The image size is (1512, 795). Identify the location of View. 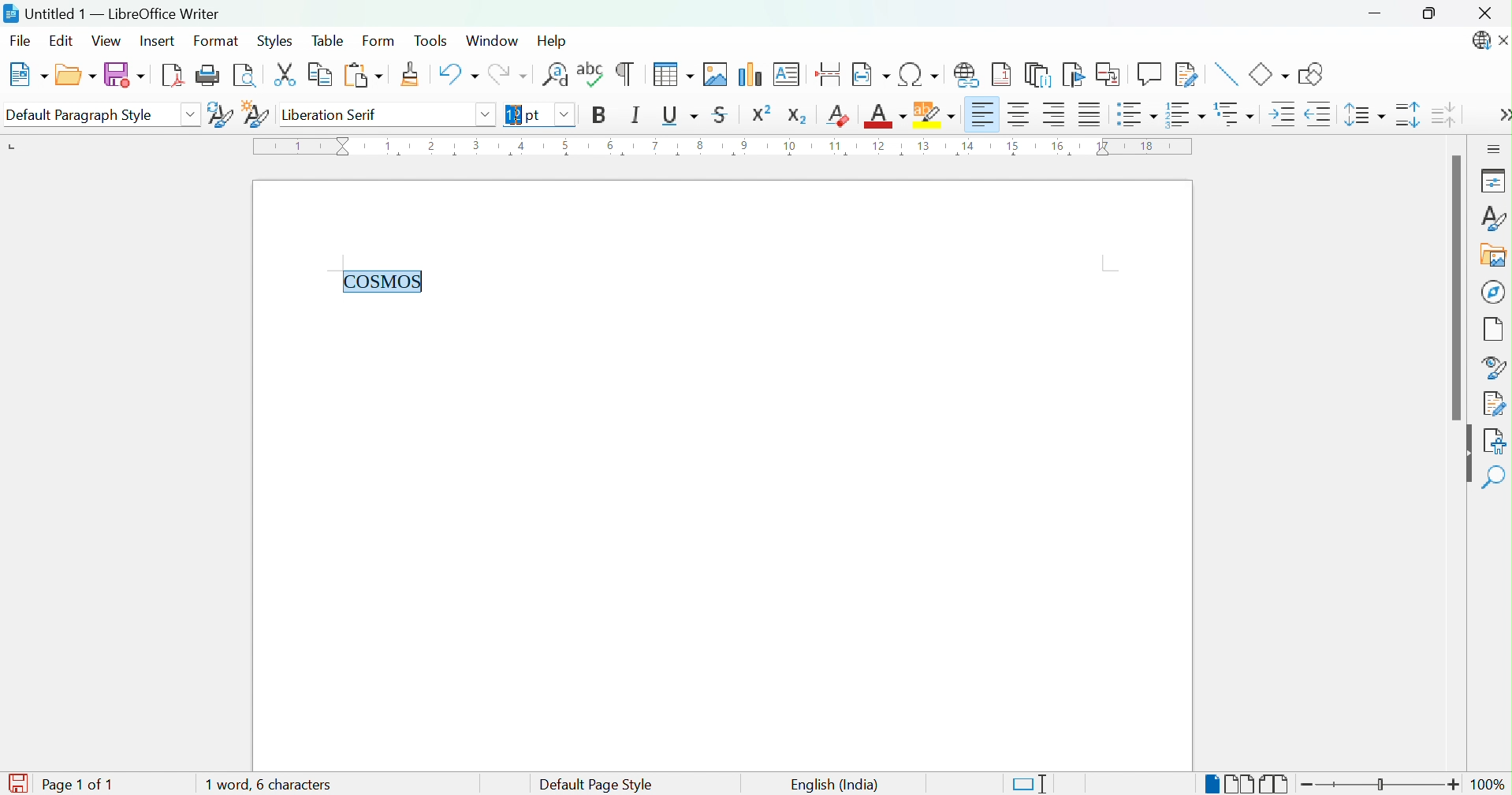
(107, 42).